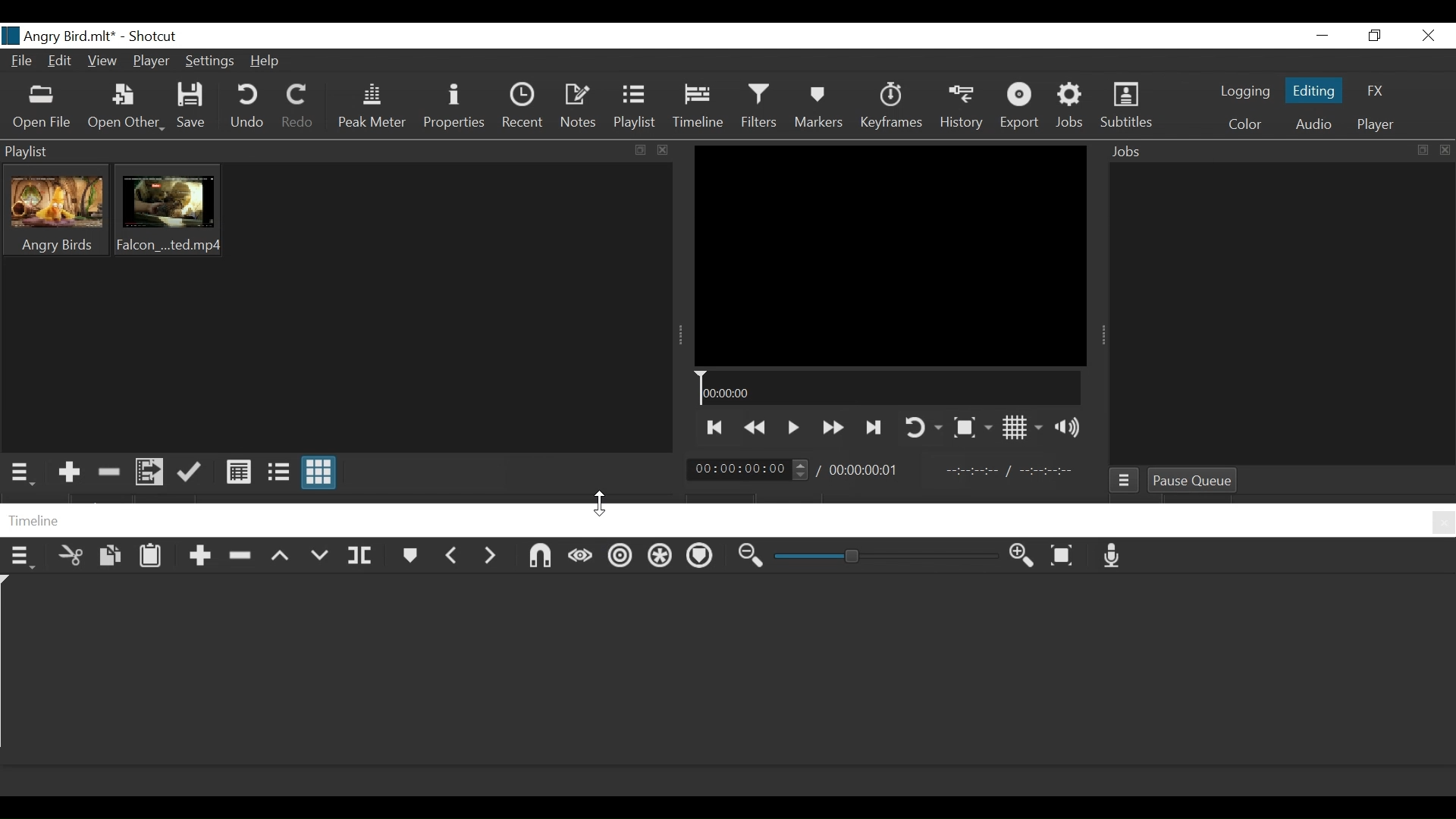 This screenshot has height=819, width=1456. I want to click on Timeline, so click(888, 389).